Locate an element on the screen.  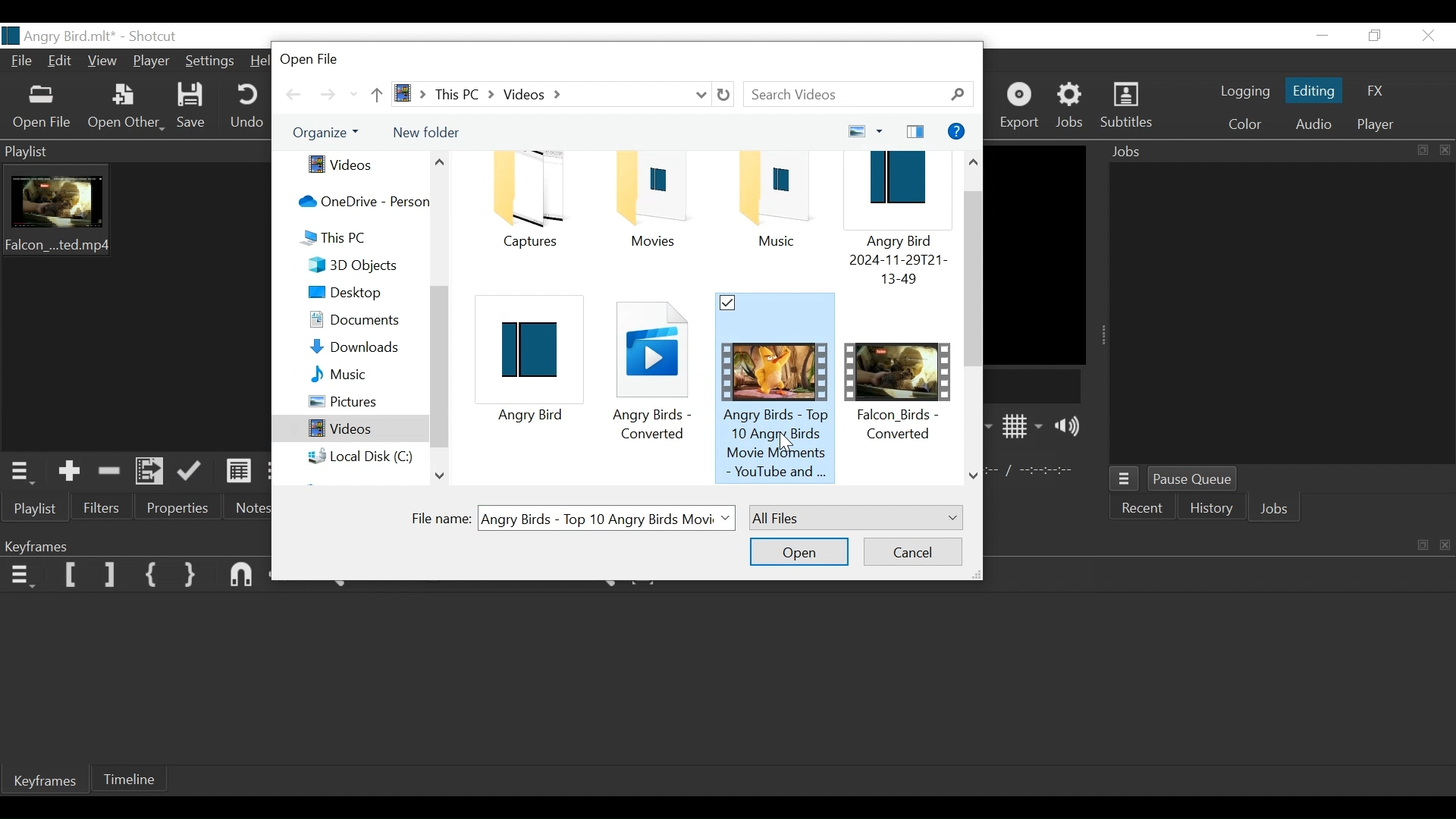
Add files to Playlist is located at coordinates (148, 472).